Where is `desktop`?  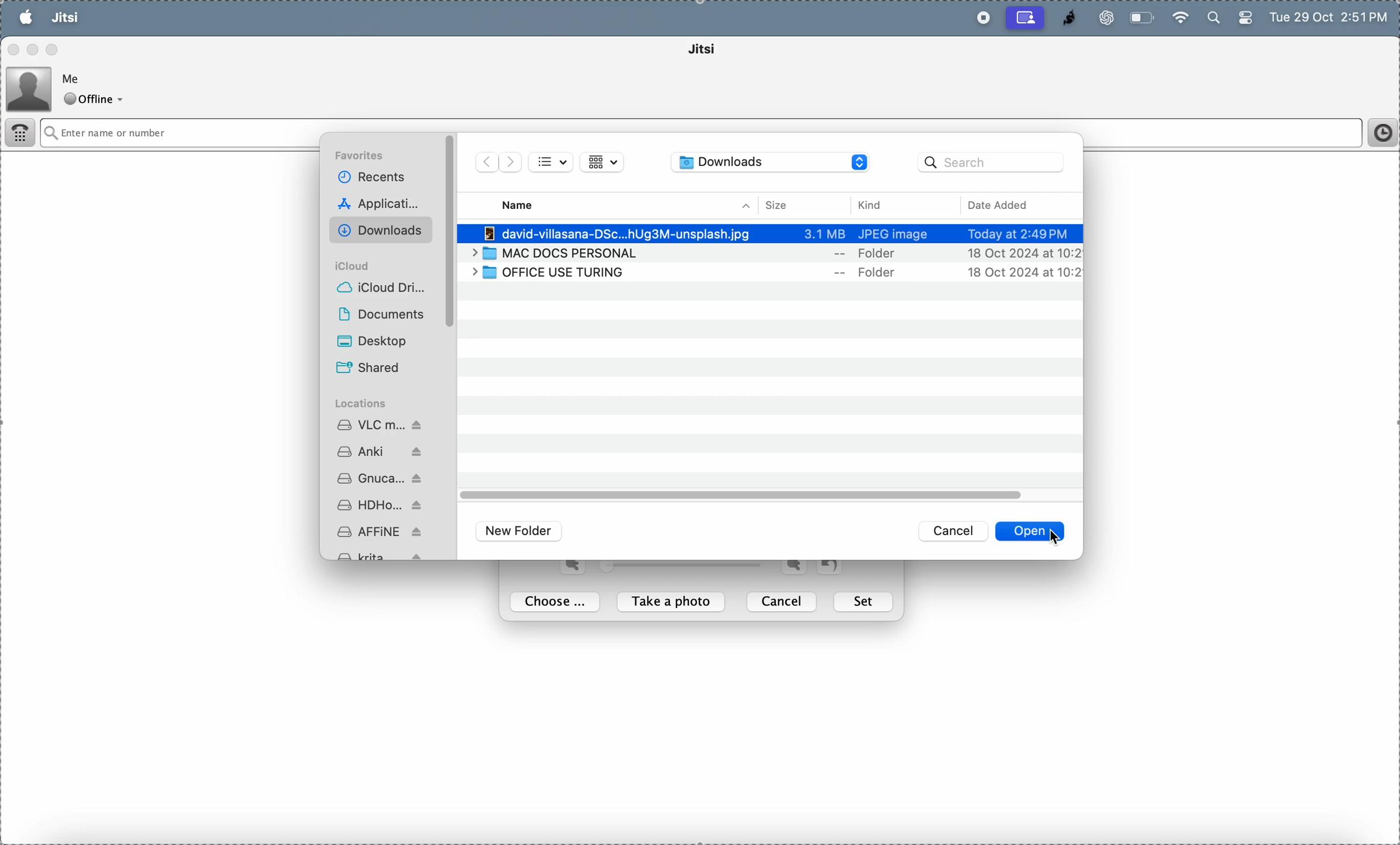 desktop is located at coordinates (388, 341).